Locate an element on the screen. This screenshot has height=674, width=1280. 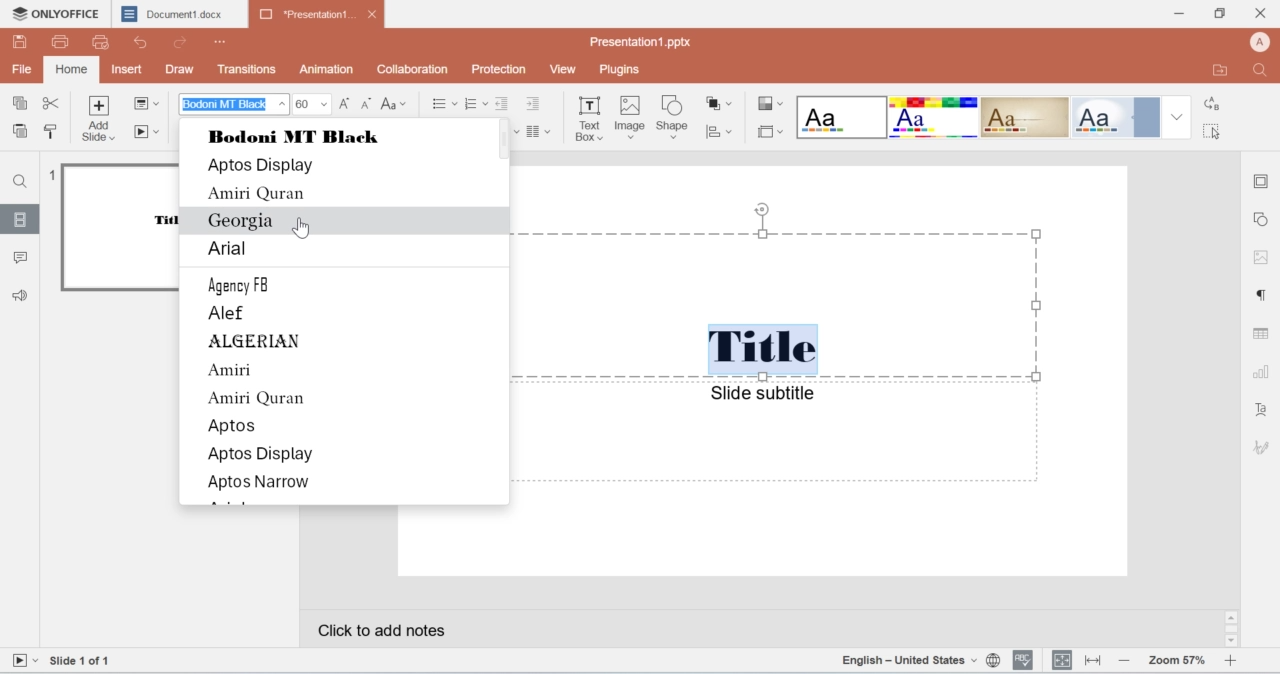
Georgia is located at coordinates (238, 222).